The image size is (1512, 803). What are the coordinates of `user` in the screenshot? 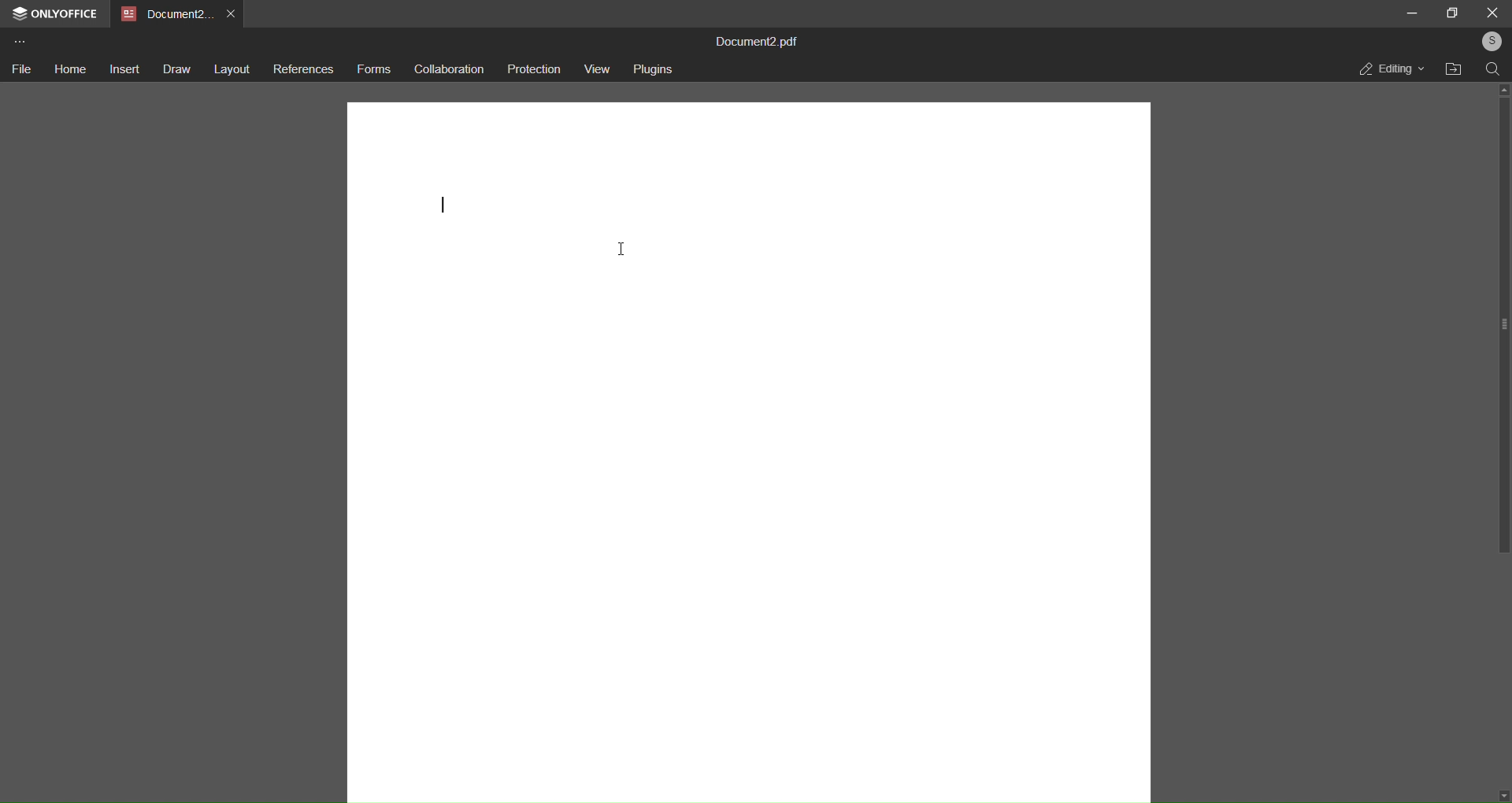 It's located at (1488, 41).